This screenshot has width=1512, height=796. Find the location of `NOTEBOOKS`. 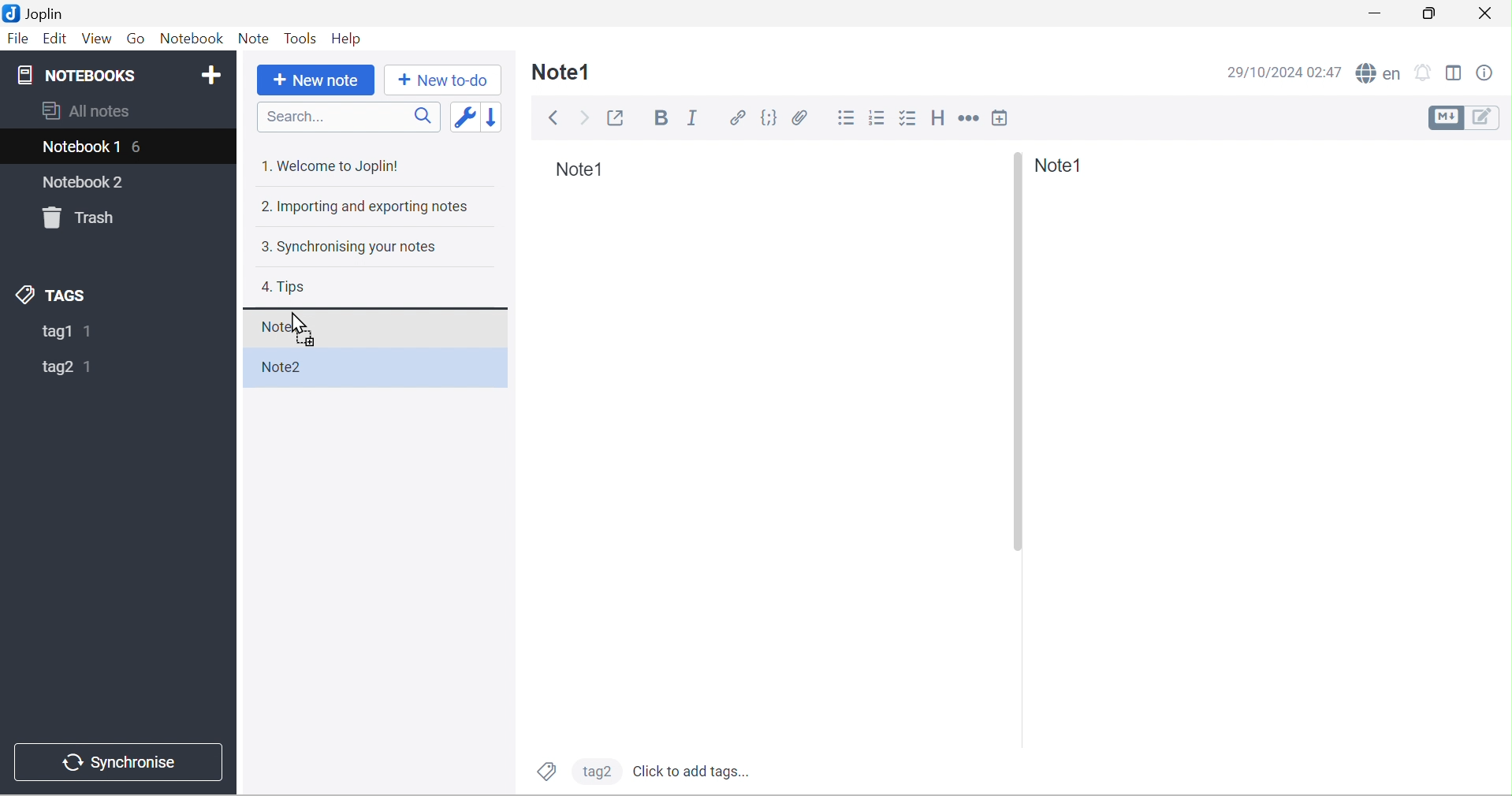

NOTEBOOKS is located at coordinates (76, 75).